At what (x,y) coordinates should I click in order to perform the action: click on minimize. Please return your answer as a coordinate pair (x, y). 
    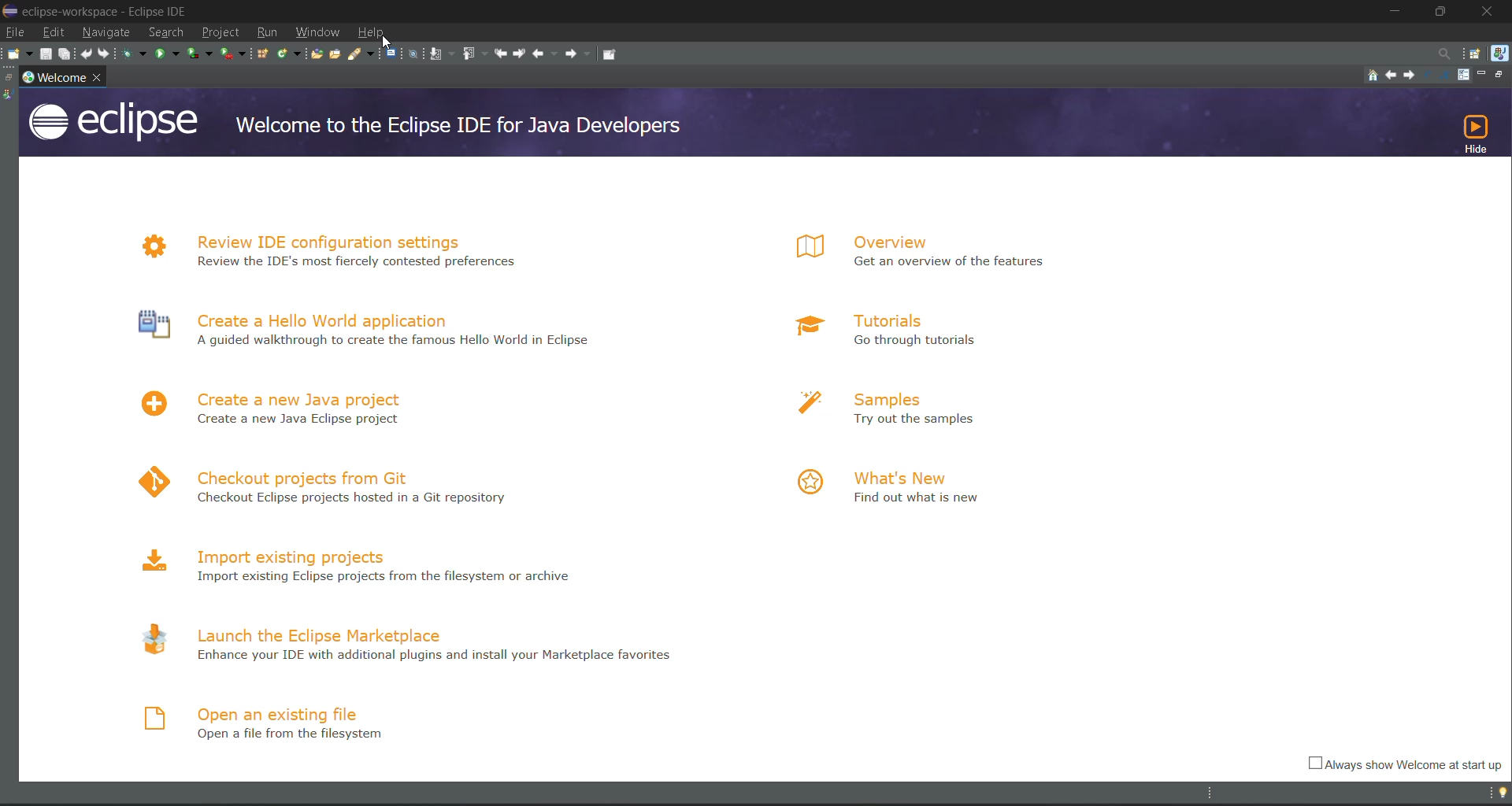
    Looking at the image, I should click on (1486, 76).